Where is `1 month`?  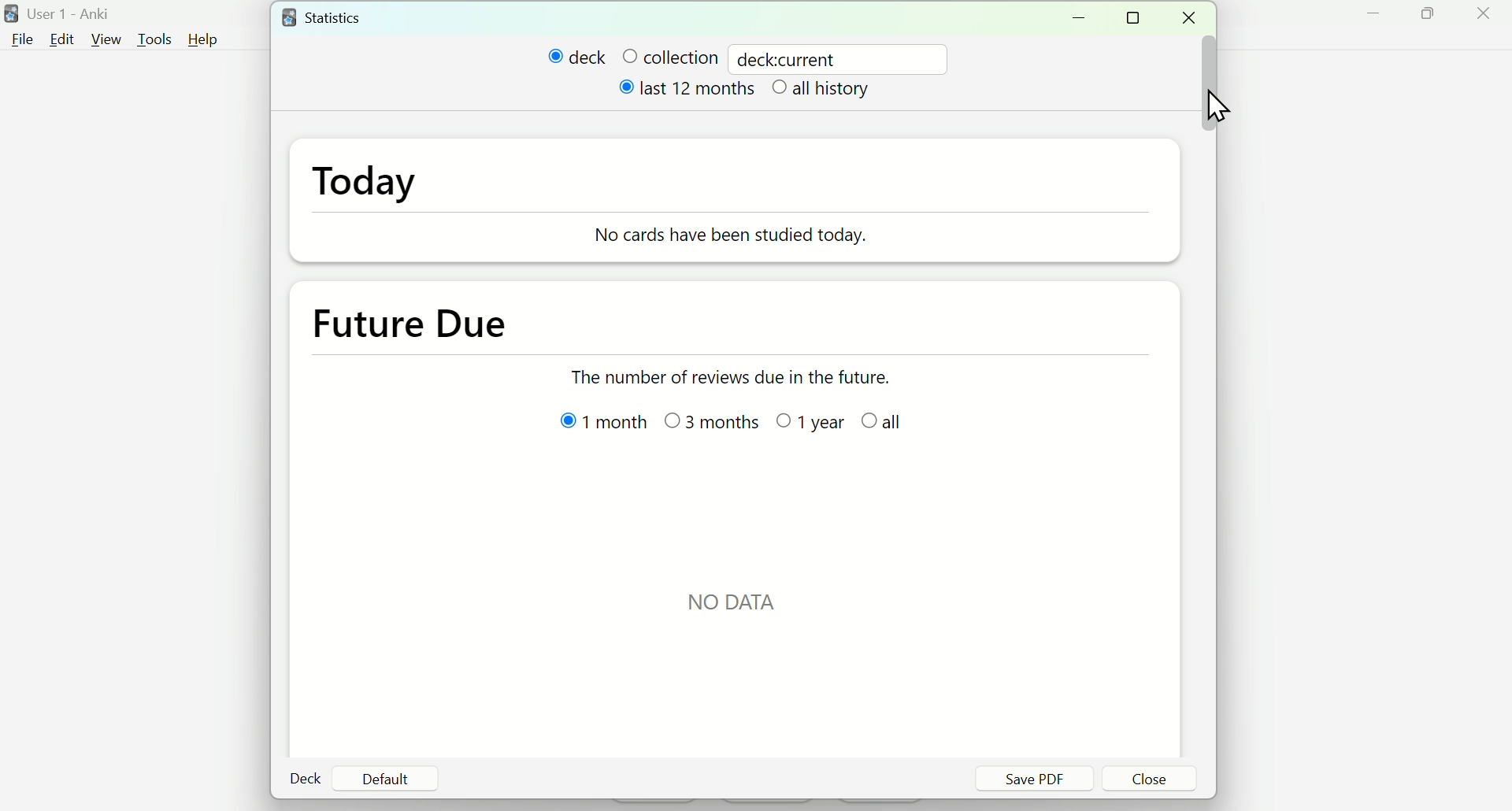
1 month is located at coordinates (590, 426).